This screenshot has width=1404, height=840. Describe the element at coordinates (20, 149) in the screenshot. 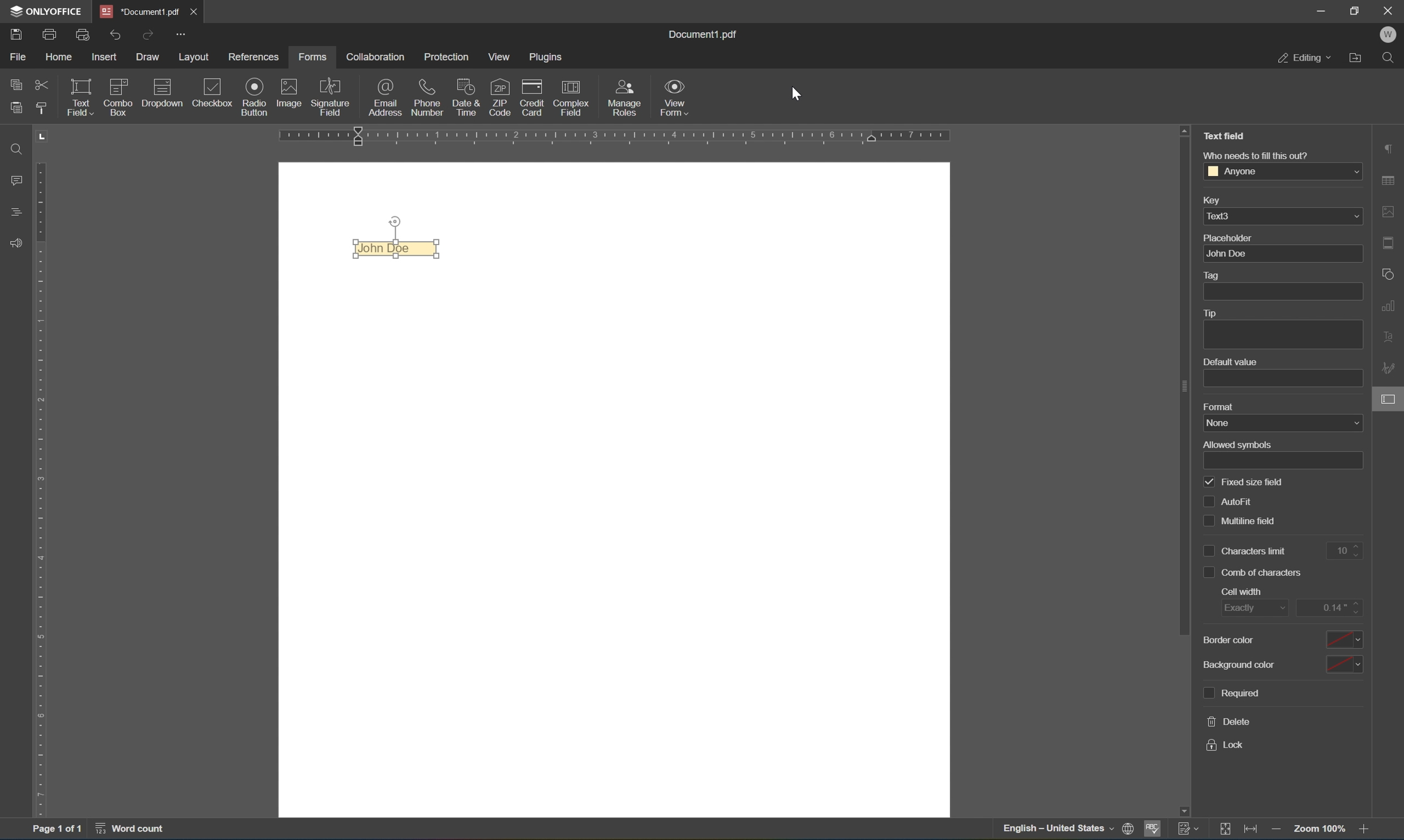

I see `find` at that location.